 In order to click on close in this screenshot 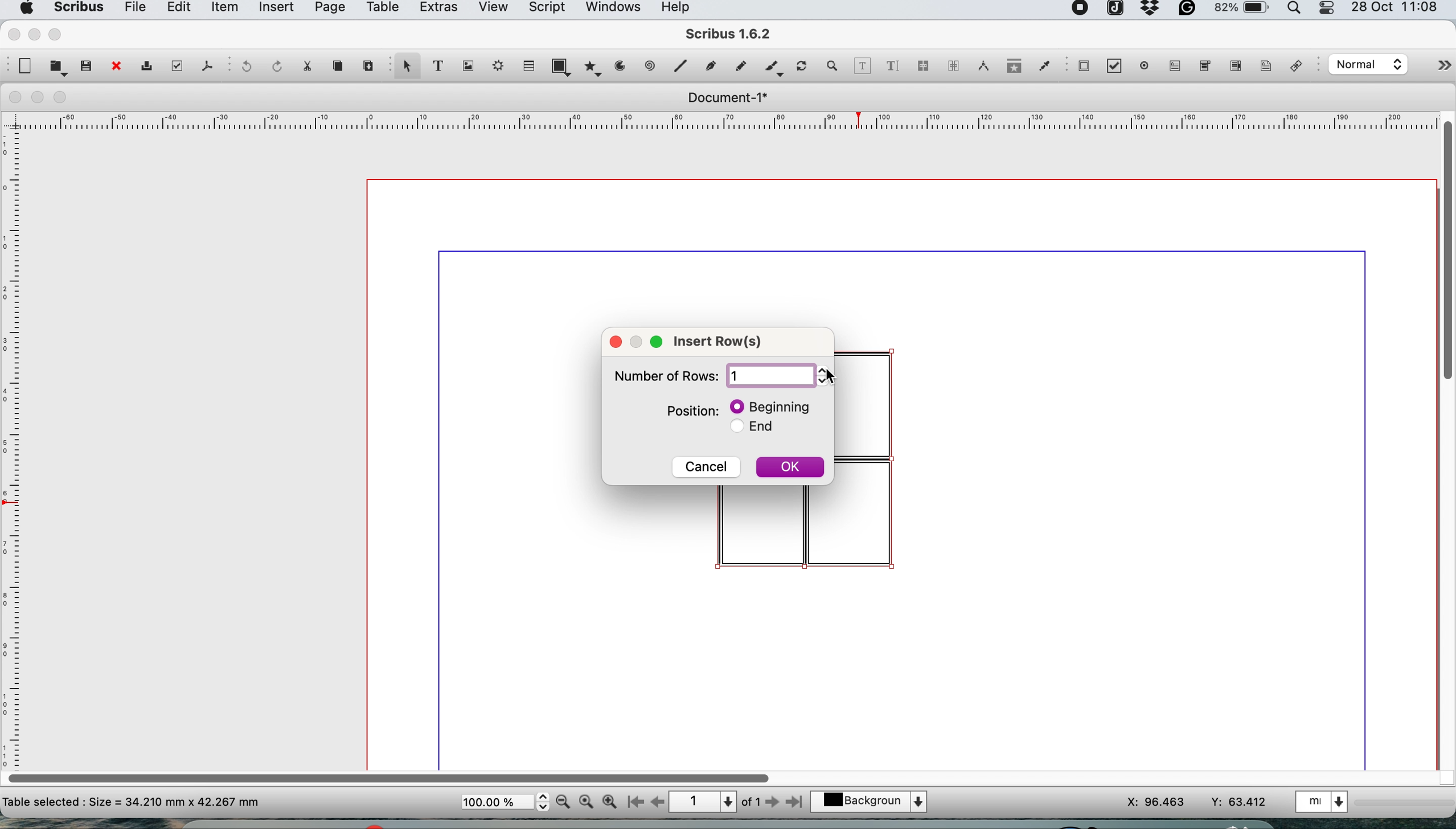, I will do `click(12, 33)`.